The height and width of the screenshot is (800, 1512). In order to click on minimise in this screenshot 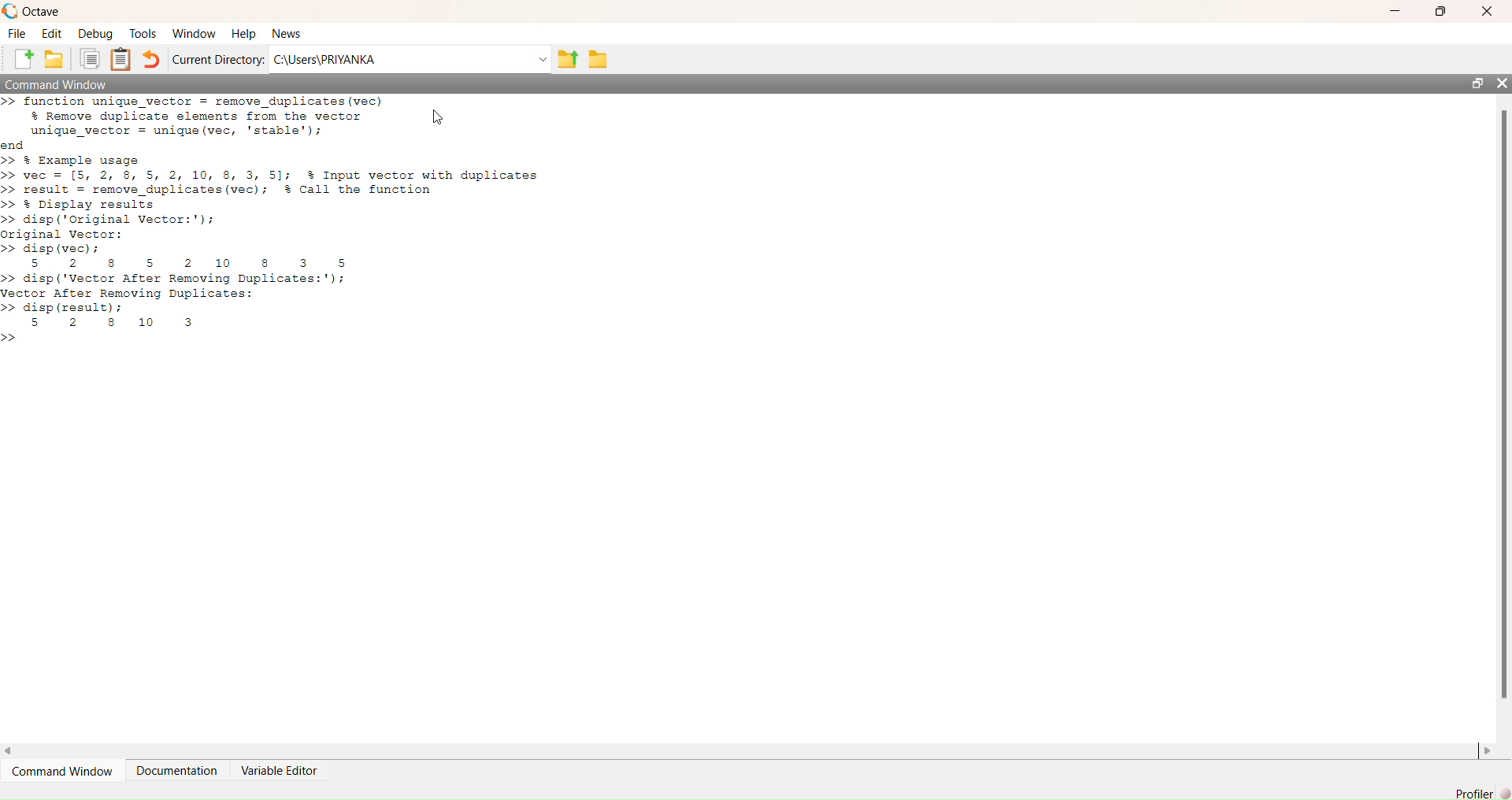, I will do `click(1397, 10)`.